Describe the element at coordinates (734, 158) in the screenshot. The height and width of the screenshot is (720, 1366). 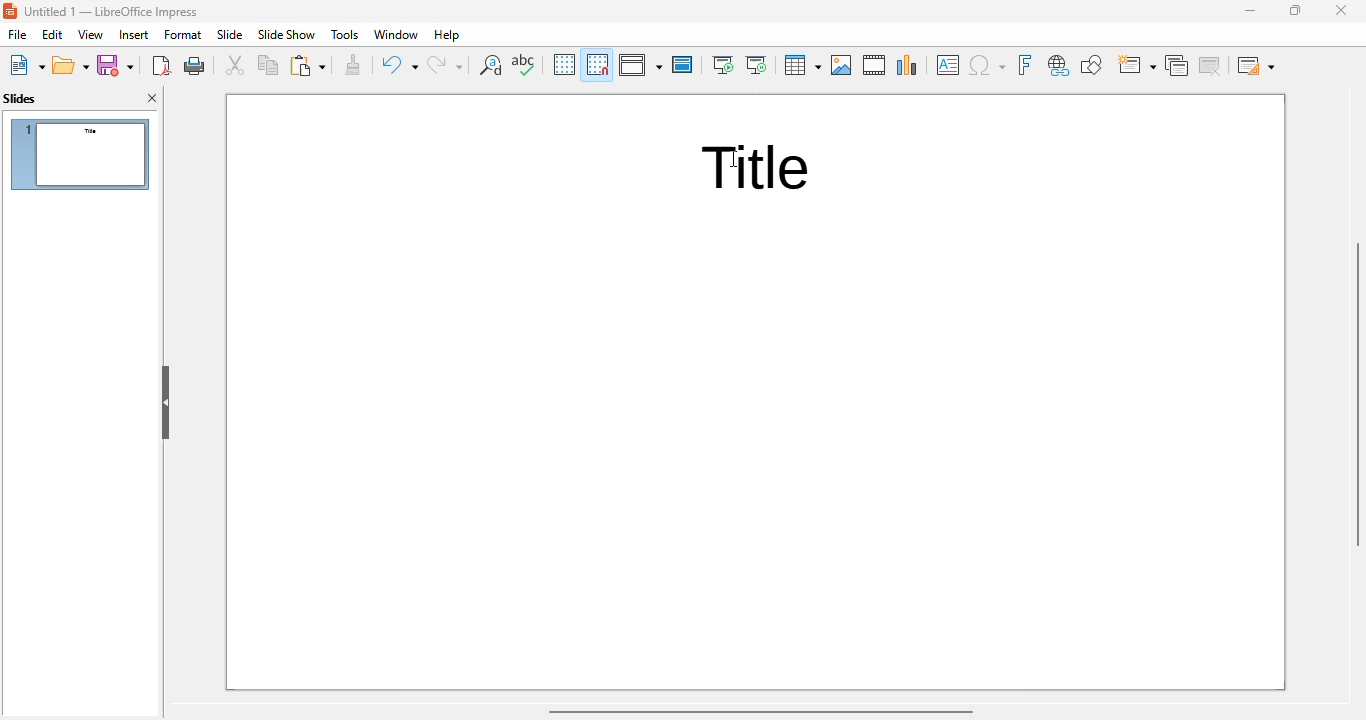
I see `cursor` at that location.